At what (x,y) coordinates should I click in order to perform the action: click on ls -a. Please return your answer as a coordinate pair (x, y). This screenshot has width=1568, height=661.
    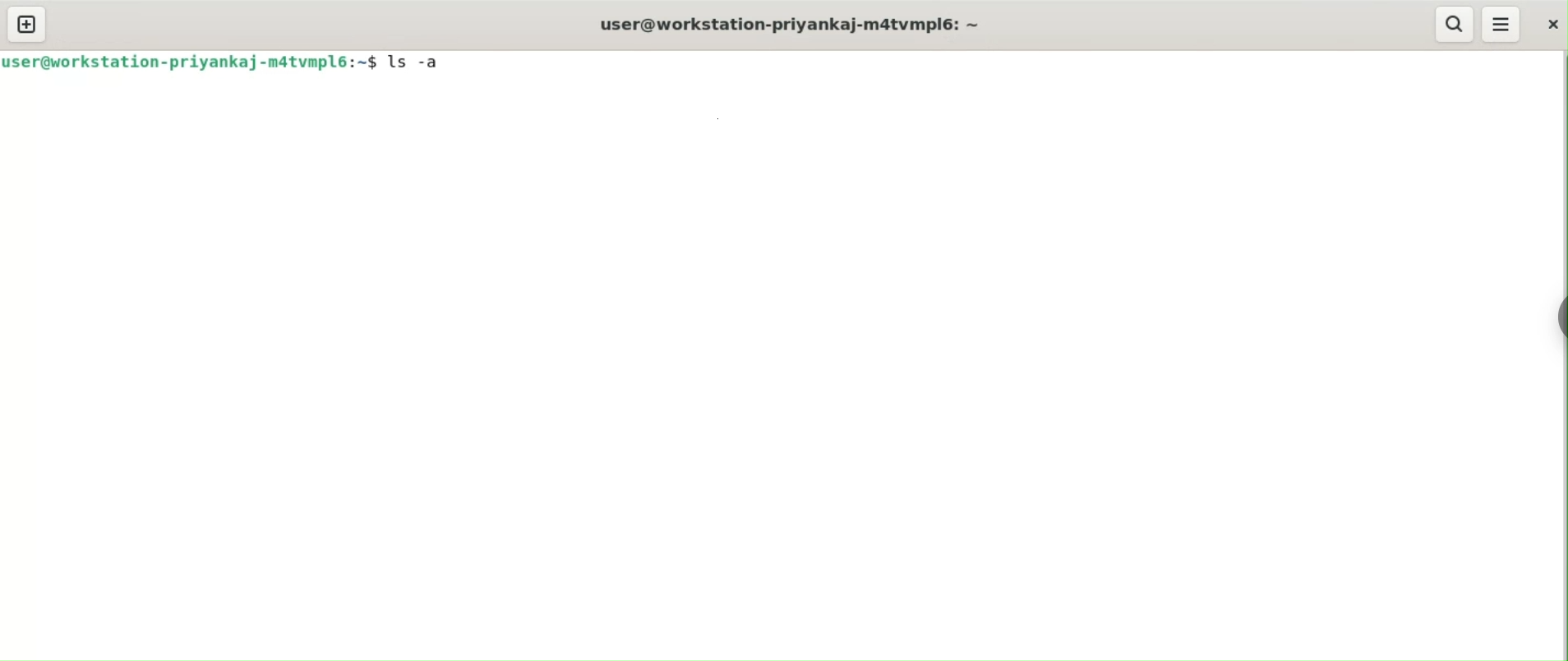
    Looking at the image, I should click on (417, 61).